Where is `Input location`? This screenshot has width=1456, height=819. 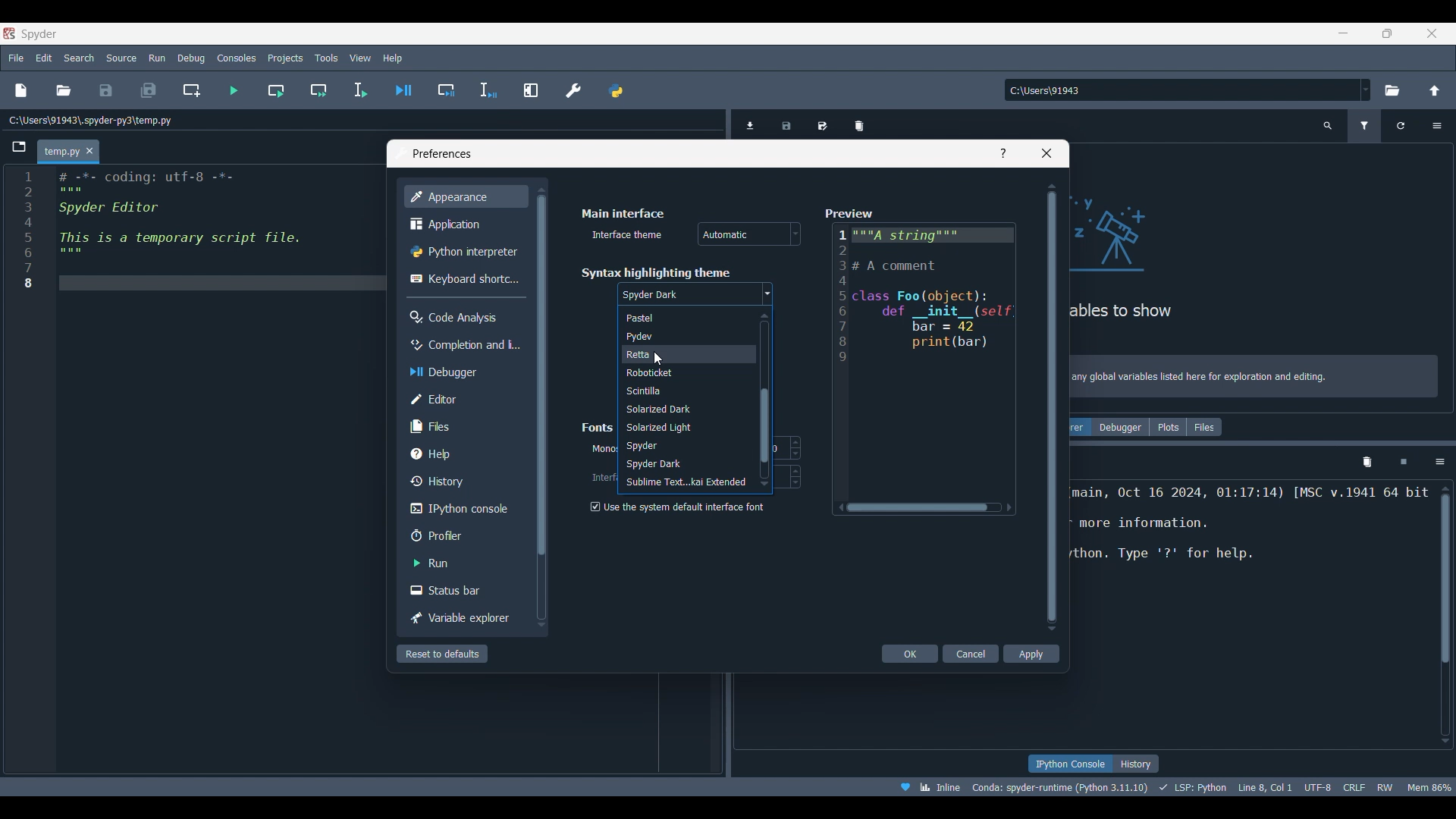 Input location is located at coordinates (1181, 90).